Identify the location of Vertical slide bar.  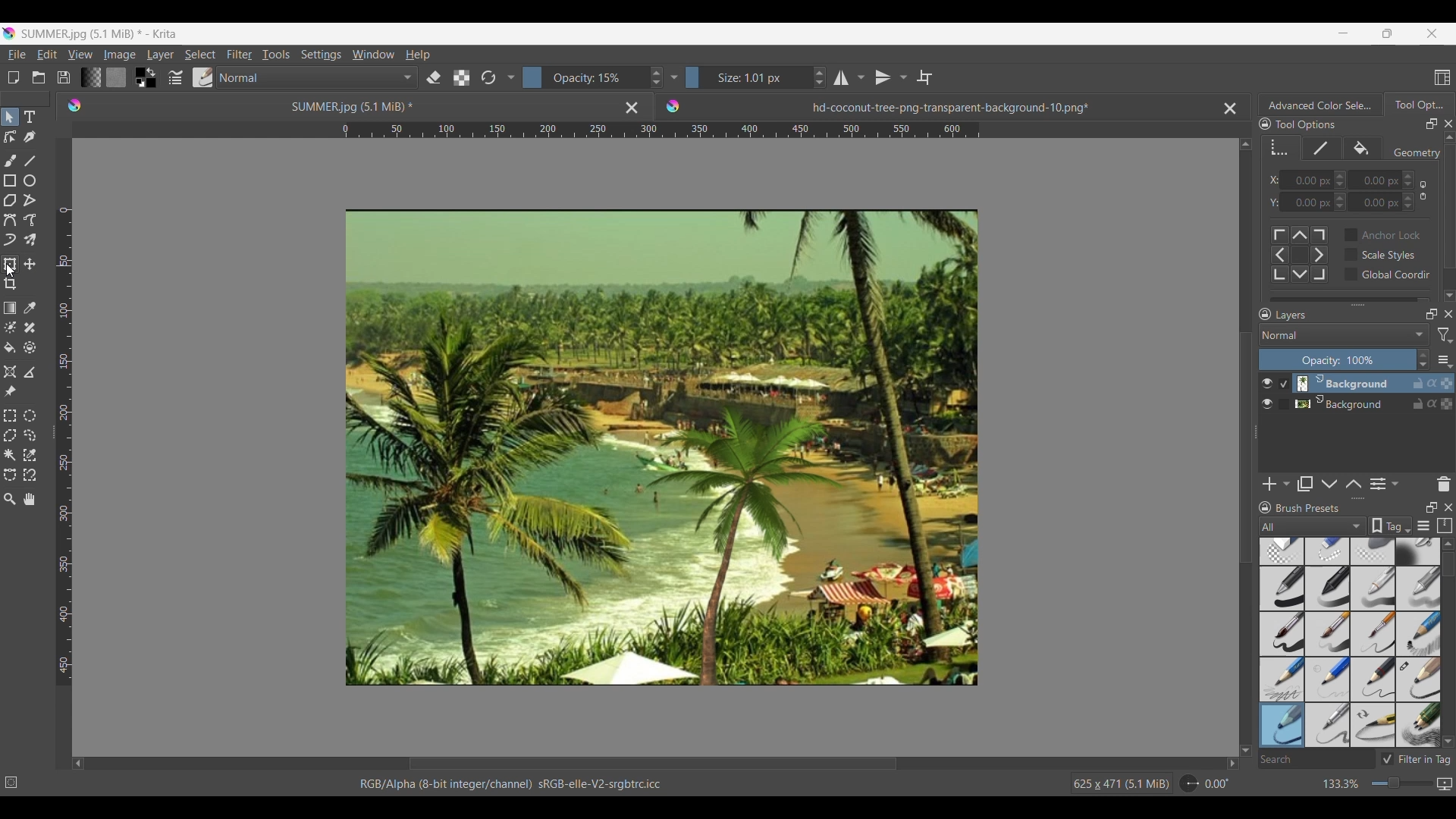
(1448, 565).